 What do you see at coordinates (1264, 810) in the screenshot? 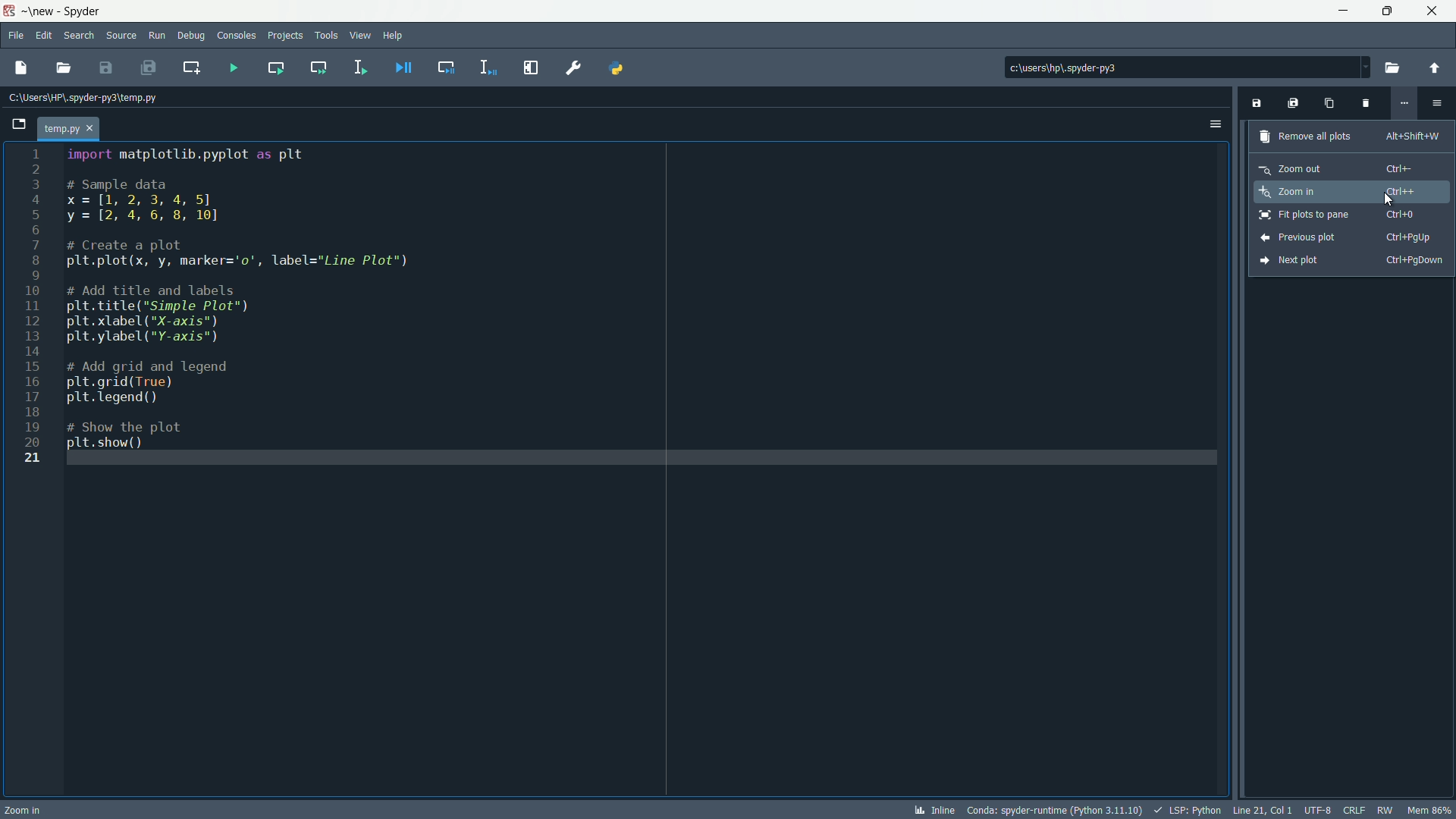
I see `cursor position` at bounding box center [1264, 810].